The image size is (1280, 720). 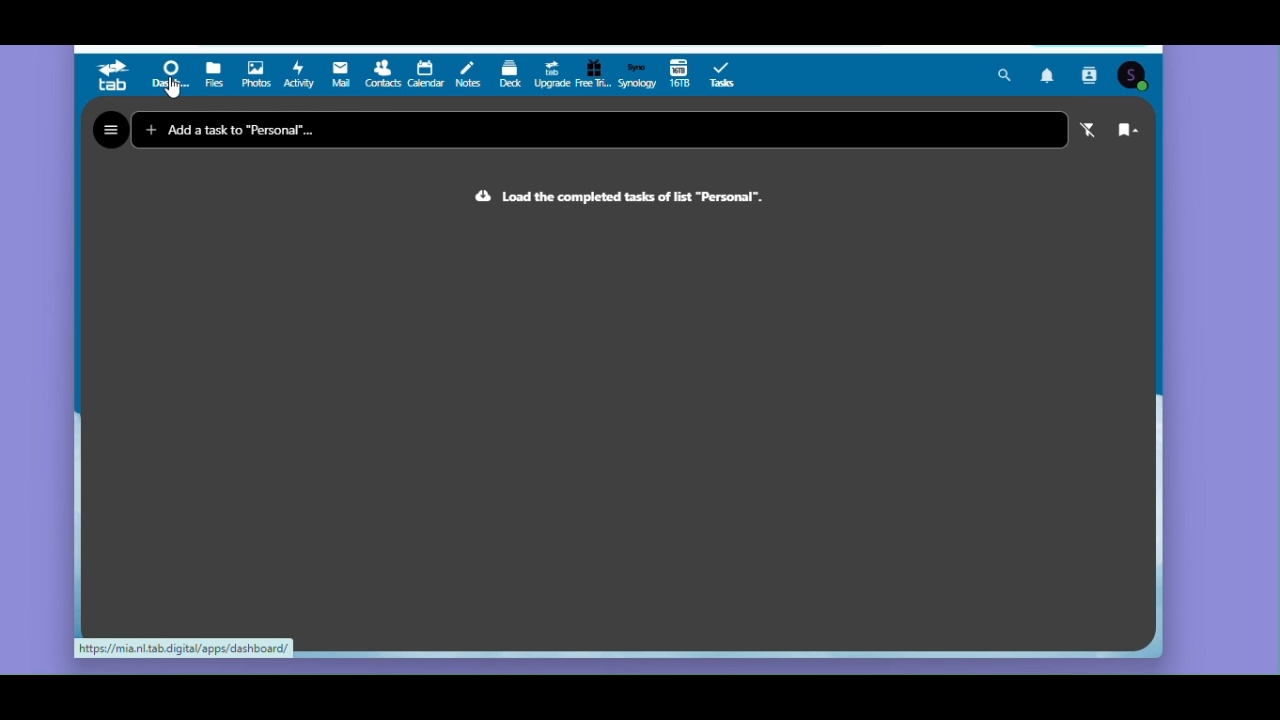 What do you see at coordinates (111, 75) in the screenshot?
I see `tab` at bounding box center [111, 75].